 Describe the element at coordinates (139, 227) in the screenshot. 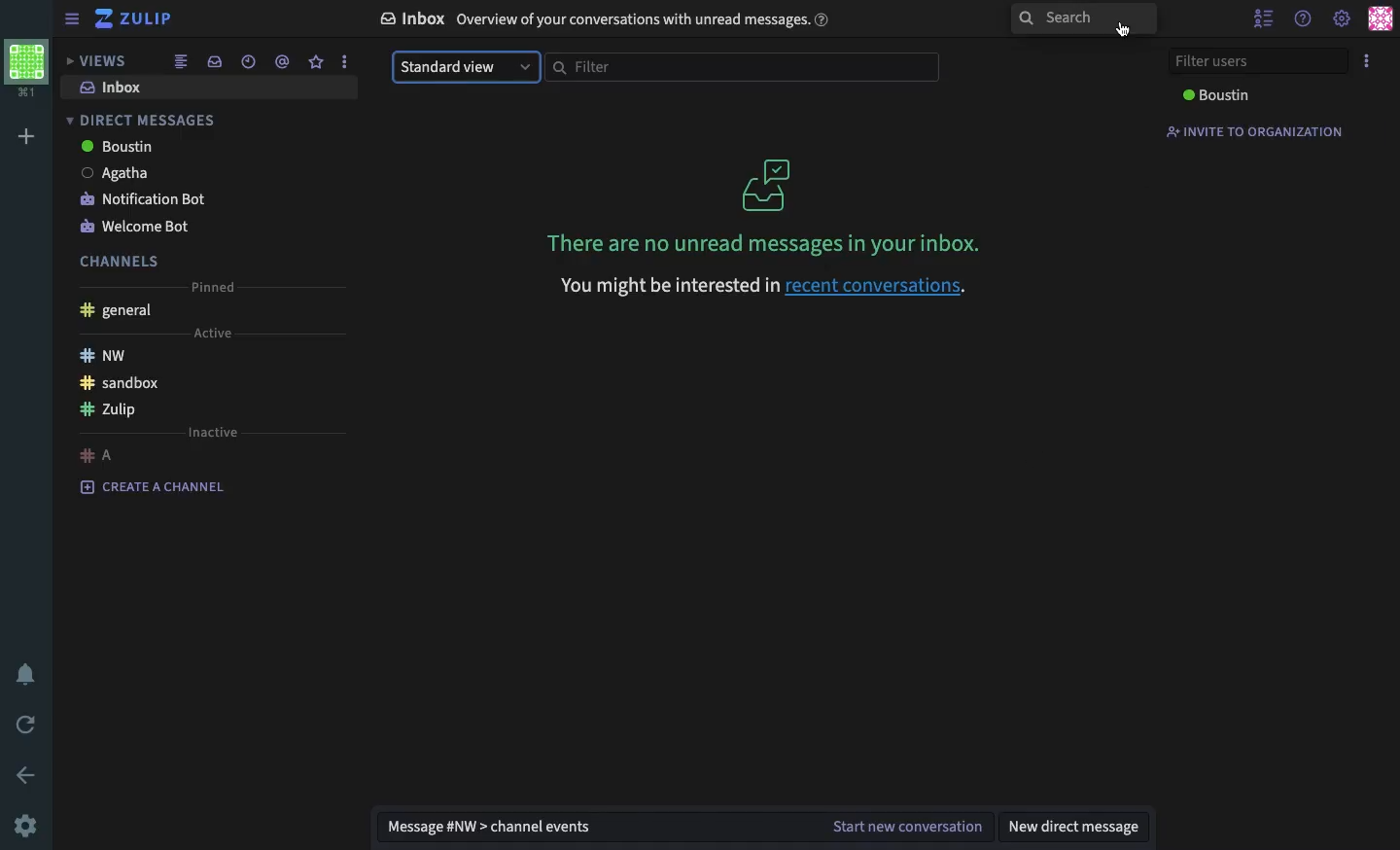

I see `welcome bot` at that location.